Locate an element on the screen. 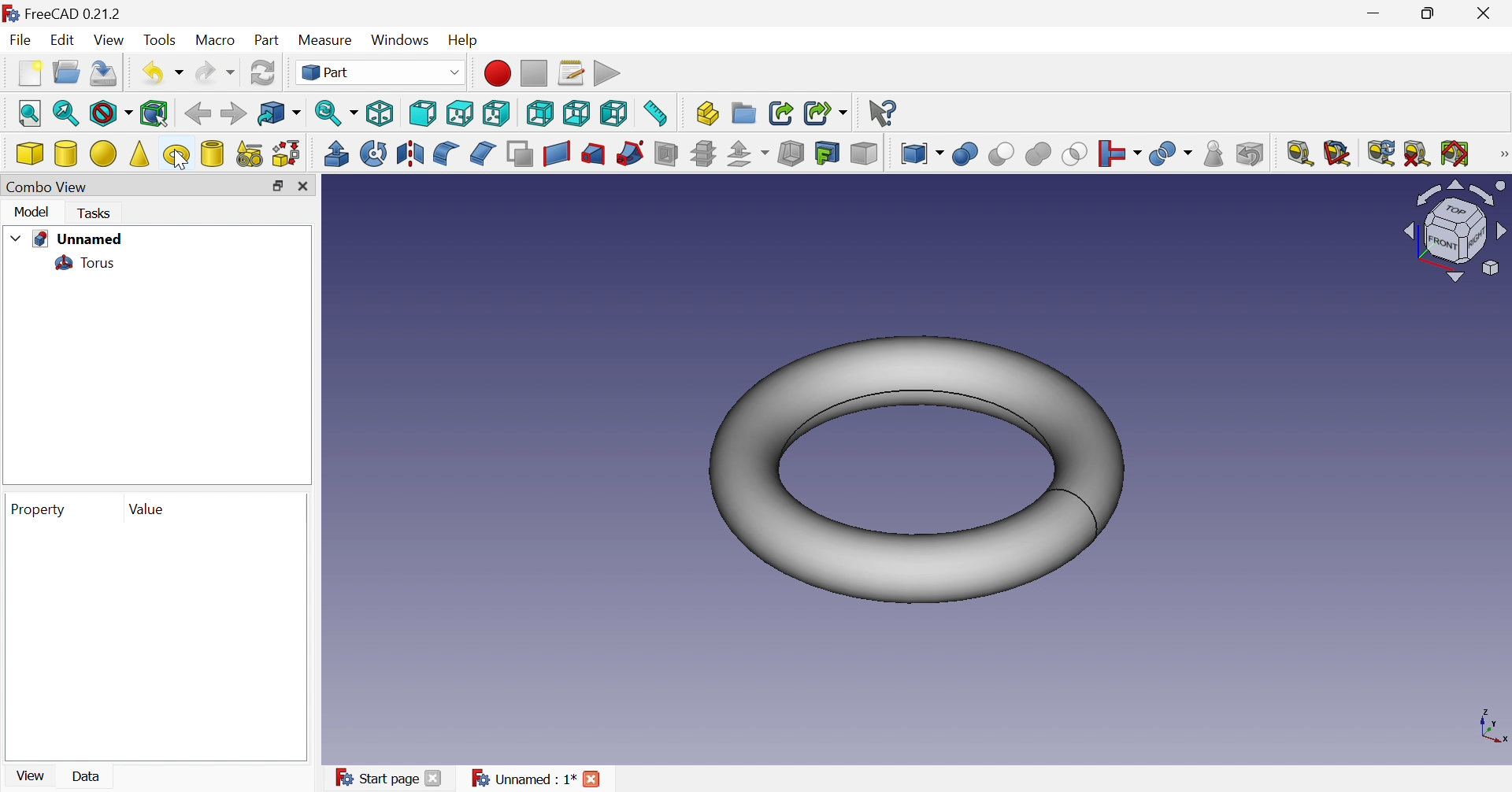  Restore down is located at coordinates (277, 187).